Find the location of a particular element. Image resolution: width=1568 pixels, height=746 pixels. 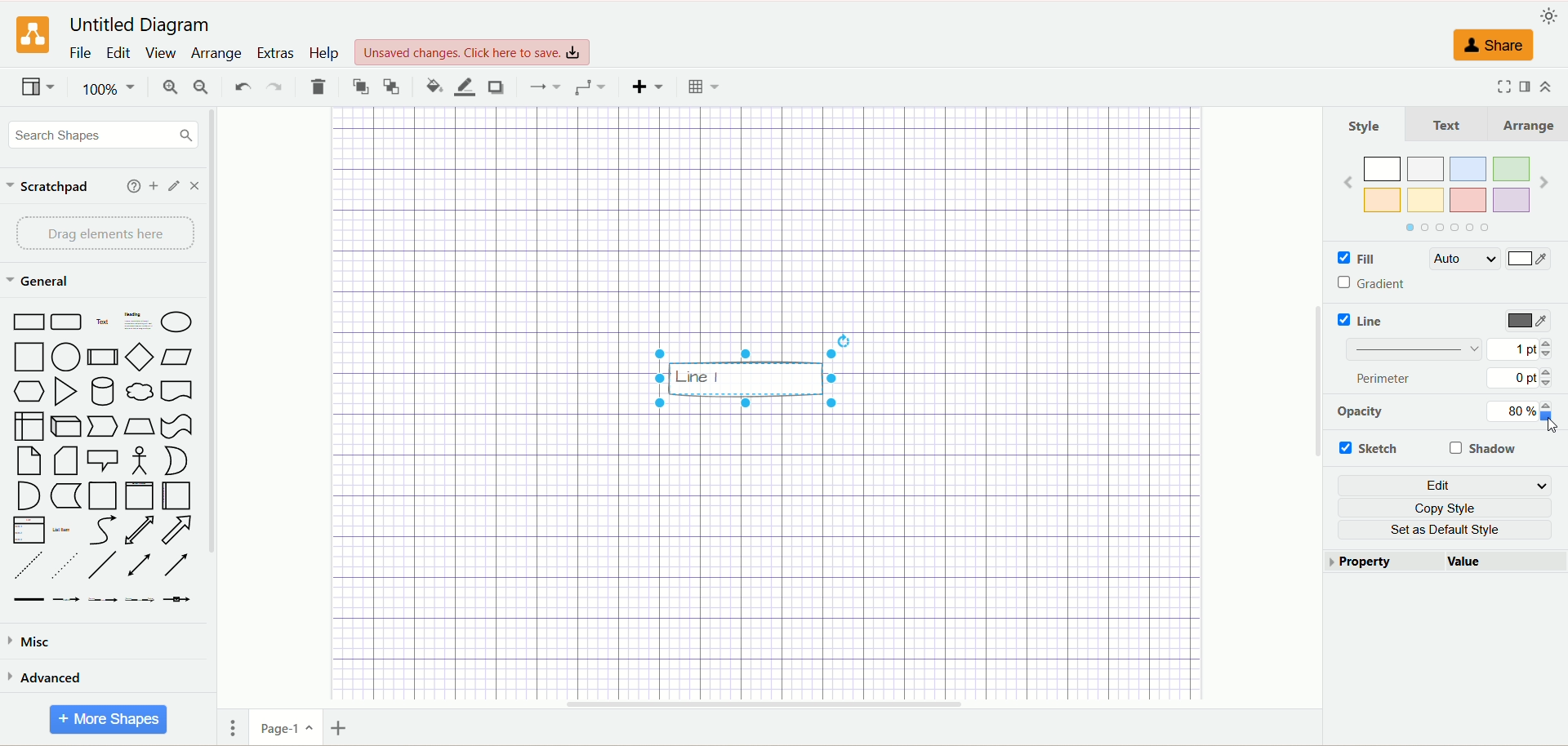

misc is located at coordinates (38, 642).